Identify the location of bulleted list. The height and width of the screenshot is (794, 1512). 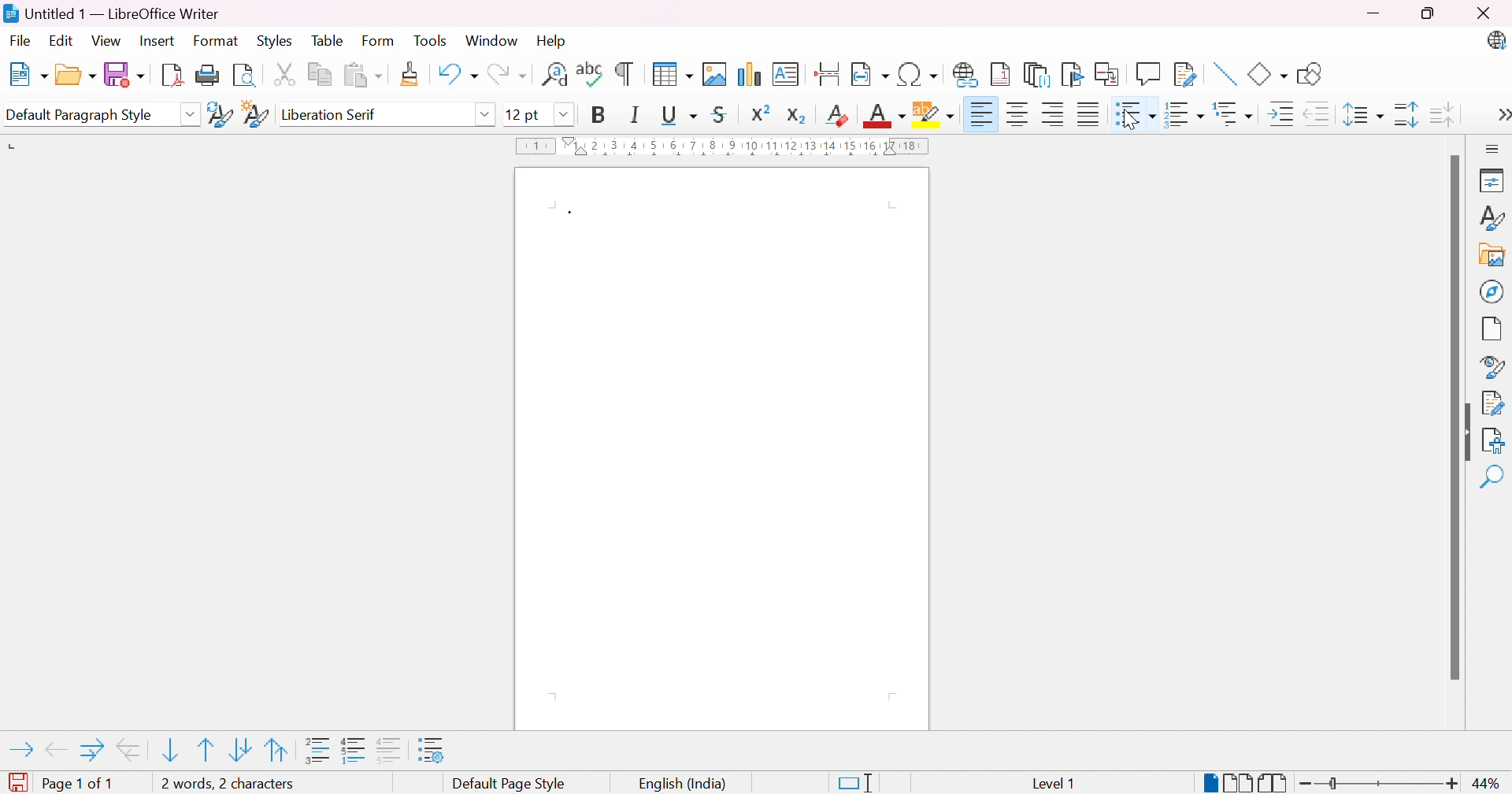
(1135, 116).